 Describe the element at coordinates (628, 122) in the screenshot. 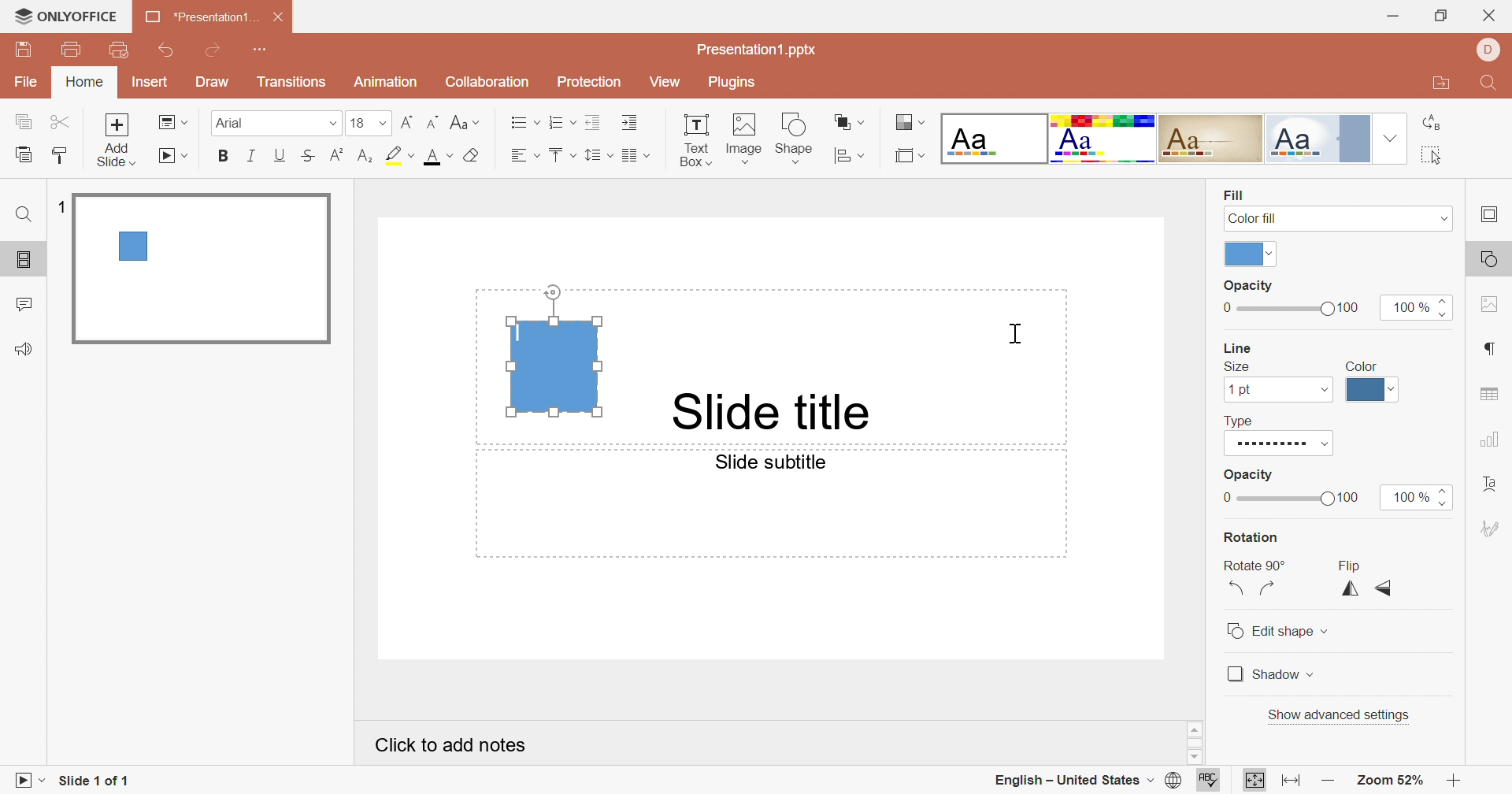

I see `Increase Indent` at that location.